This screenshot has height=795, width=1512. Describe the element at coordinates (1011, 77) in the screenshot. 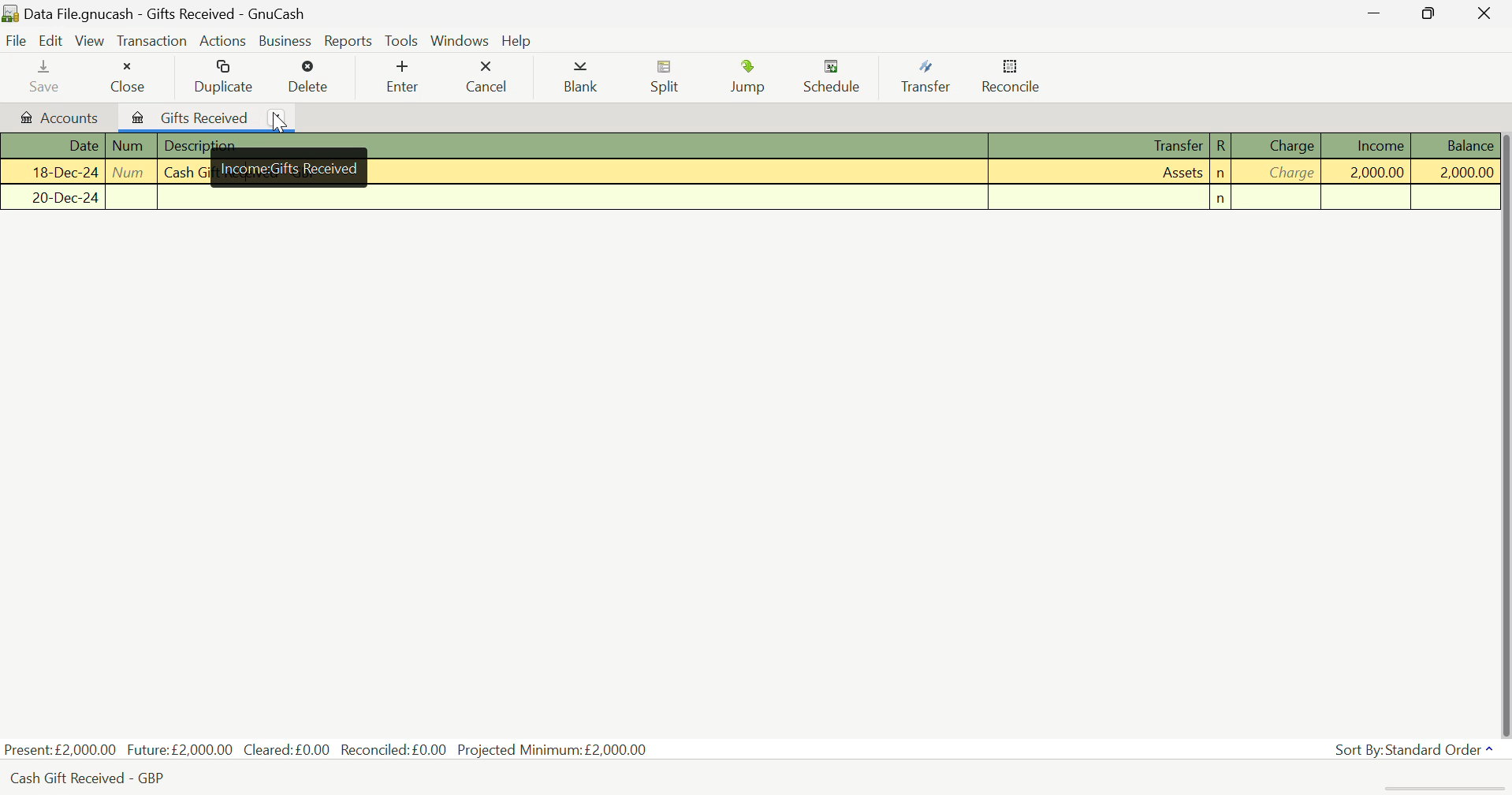

I see `Reconcile` at that location.